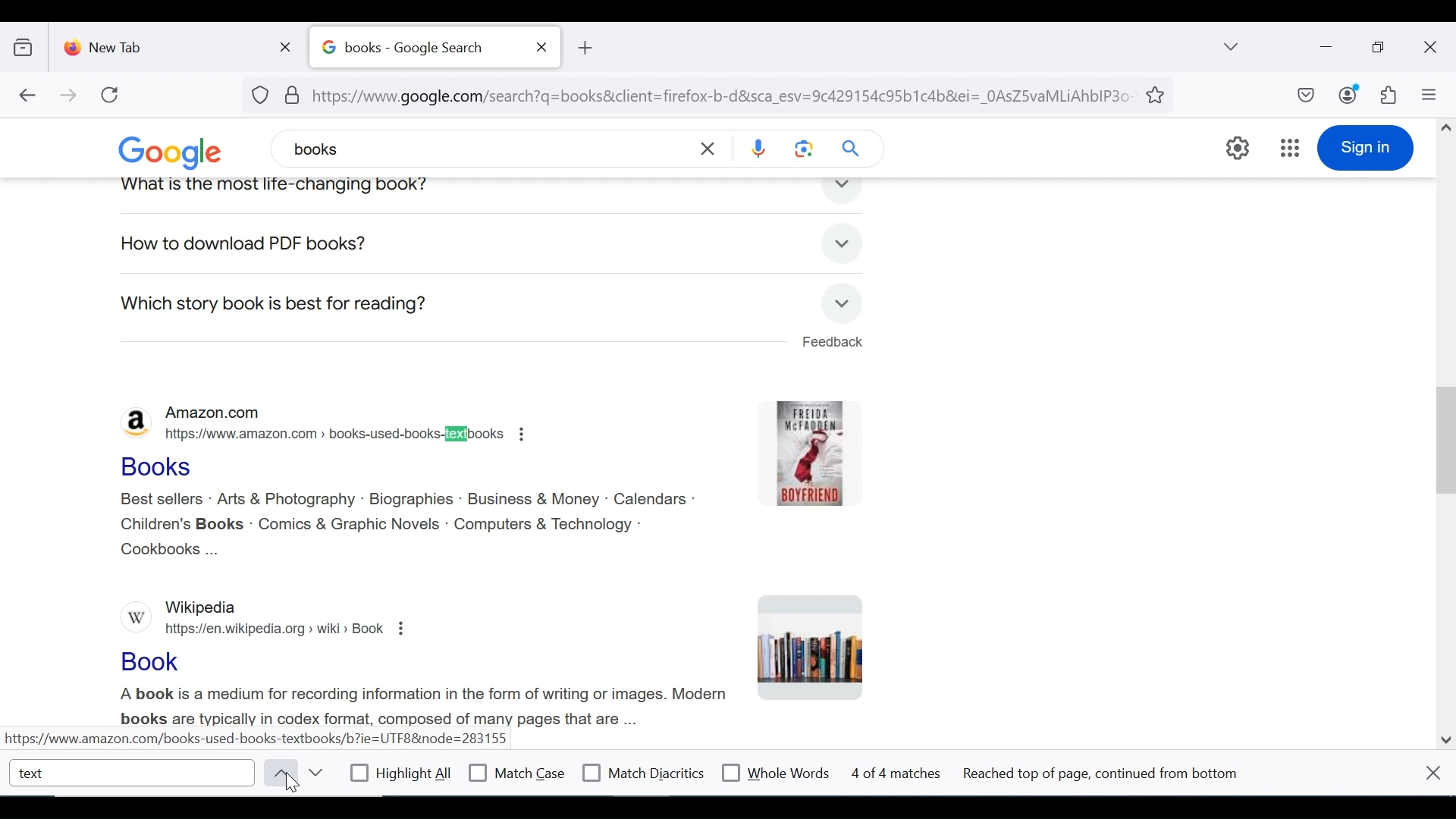 The height and width of the screenshot is (819, 1456). Describe the element at coordinates (181, 152) in the screenshot. I see `google logo` at that location.